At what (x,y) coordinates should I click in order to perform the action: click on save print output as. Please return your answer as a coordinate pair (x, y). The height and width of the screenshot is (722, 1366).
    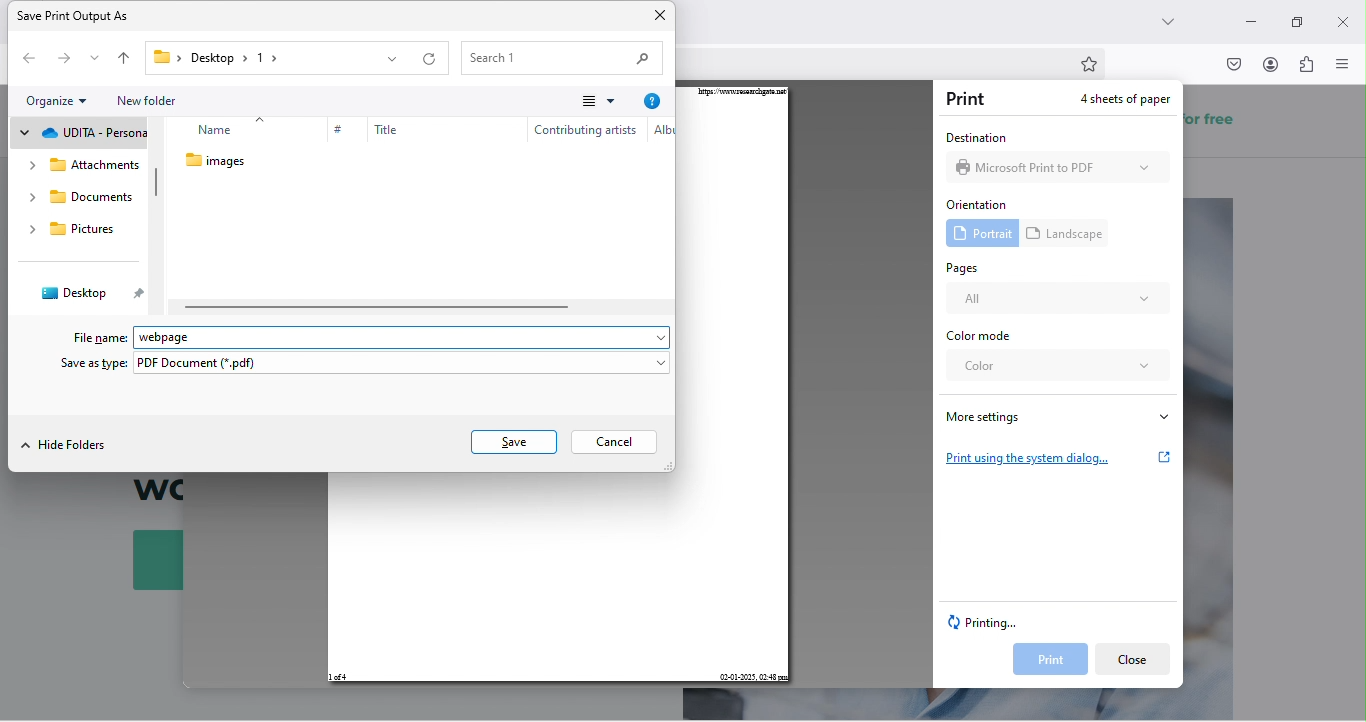
    Looking at the image, I should click on (91, 18).